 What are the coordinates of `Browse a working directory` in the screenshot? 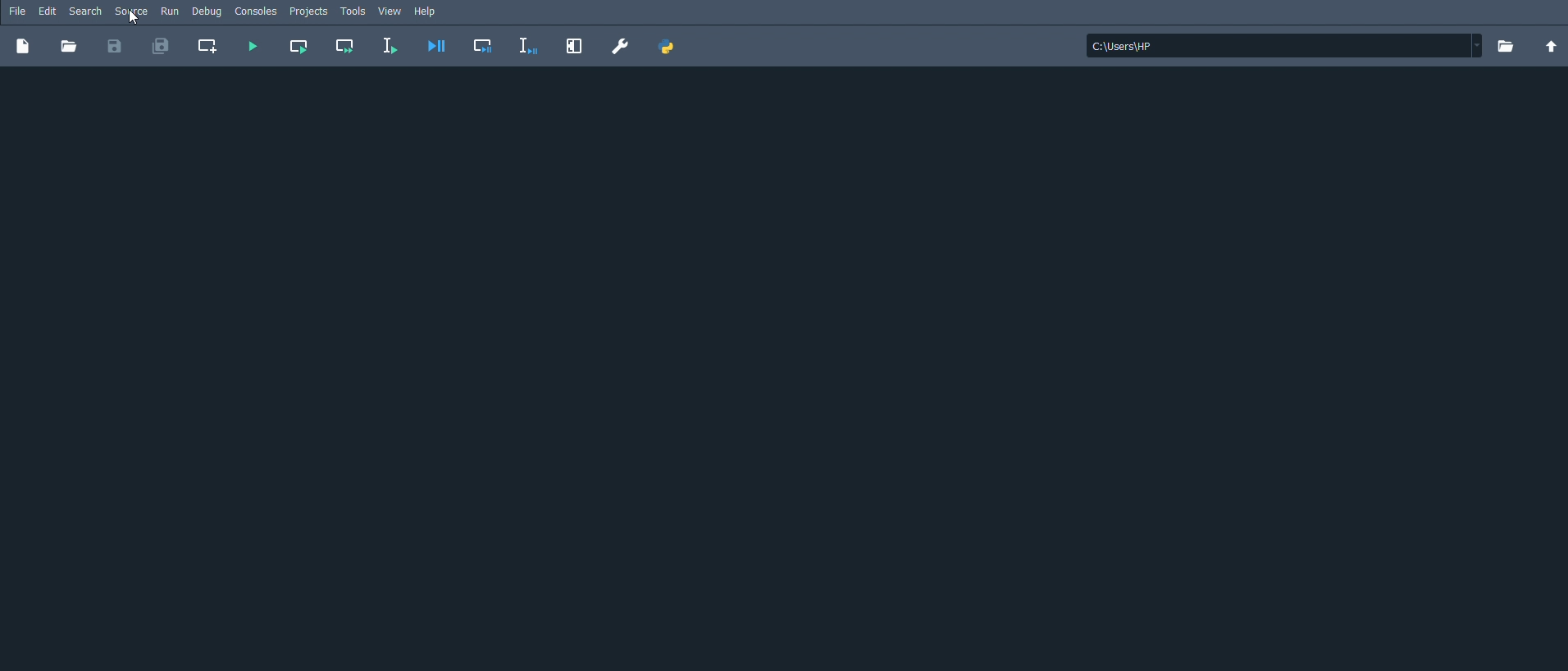 It's located at (1505, 47).